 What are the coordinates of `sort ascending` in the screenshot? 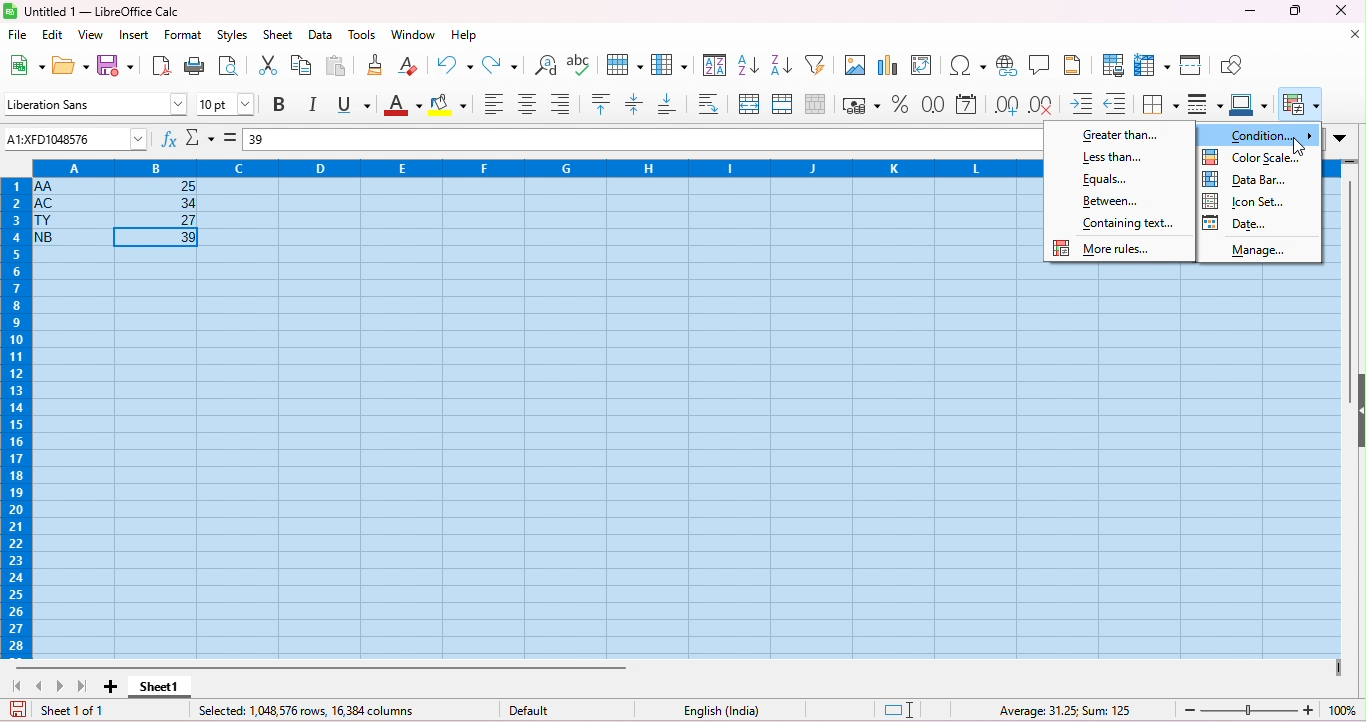 It's located at (749, 63).